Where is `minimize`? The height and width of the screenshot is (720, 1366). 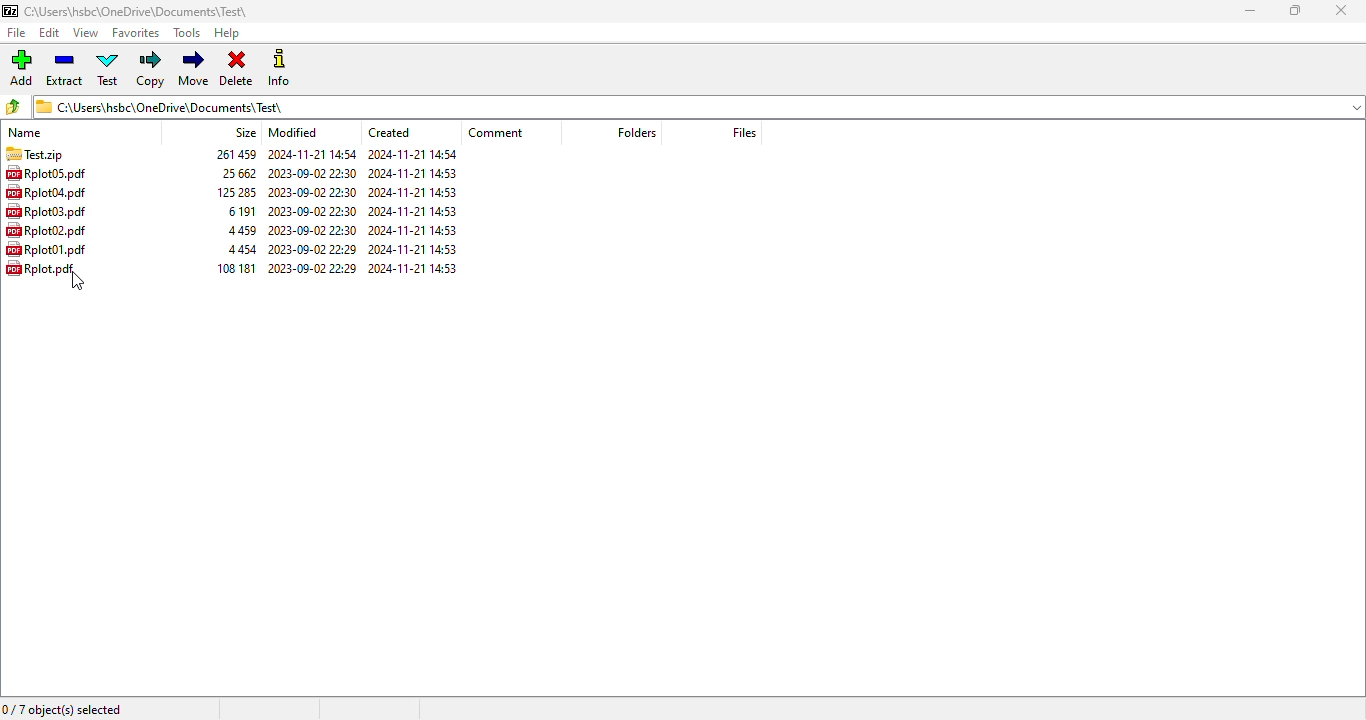
minimize is located at coordinates (1251, 11).